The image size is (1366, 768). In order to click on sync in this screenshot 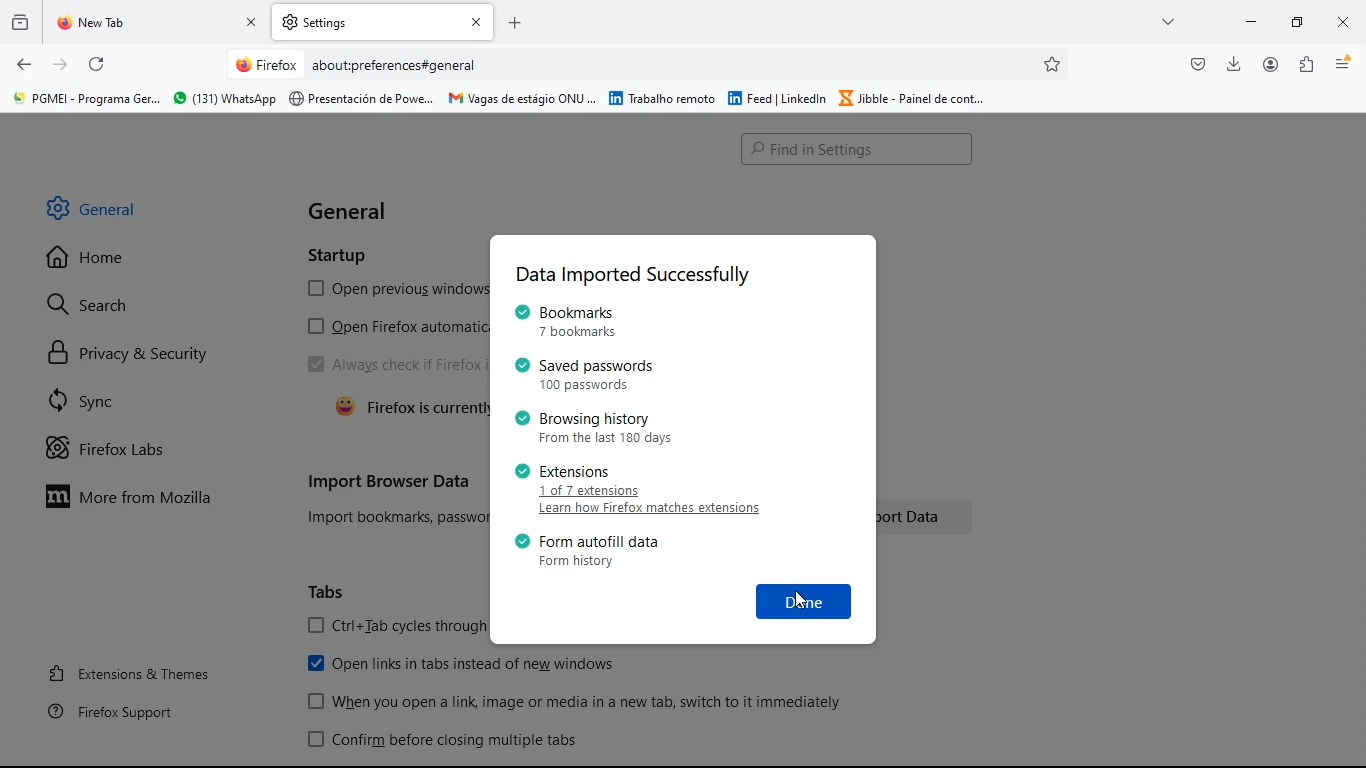, I will do `click(131, 399)`.